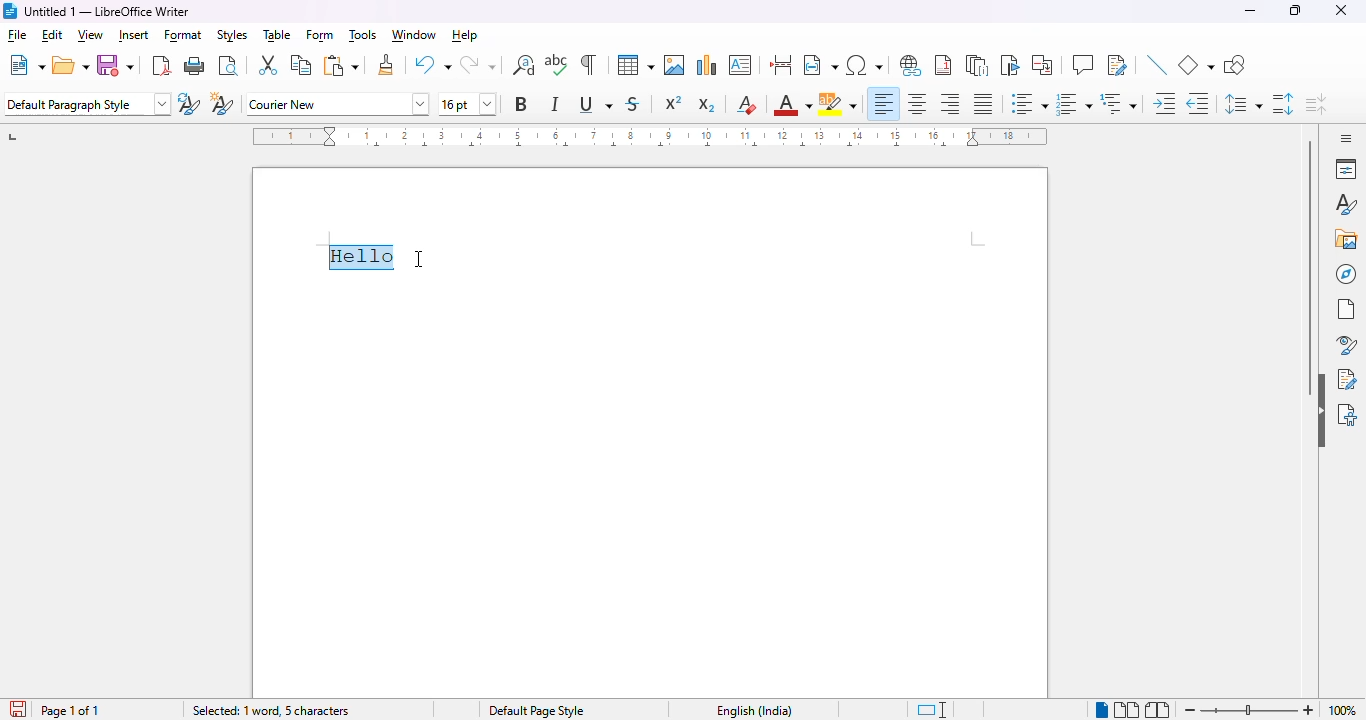 The image size is (1366, 720). What do you see at coordinates (1343, 138) in the screenshot?
I see `sidebar settings` at bounding box center [1343, 138].